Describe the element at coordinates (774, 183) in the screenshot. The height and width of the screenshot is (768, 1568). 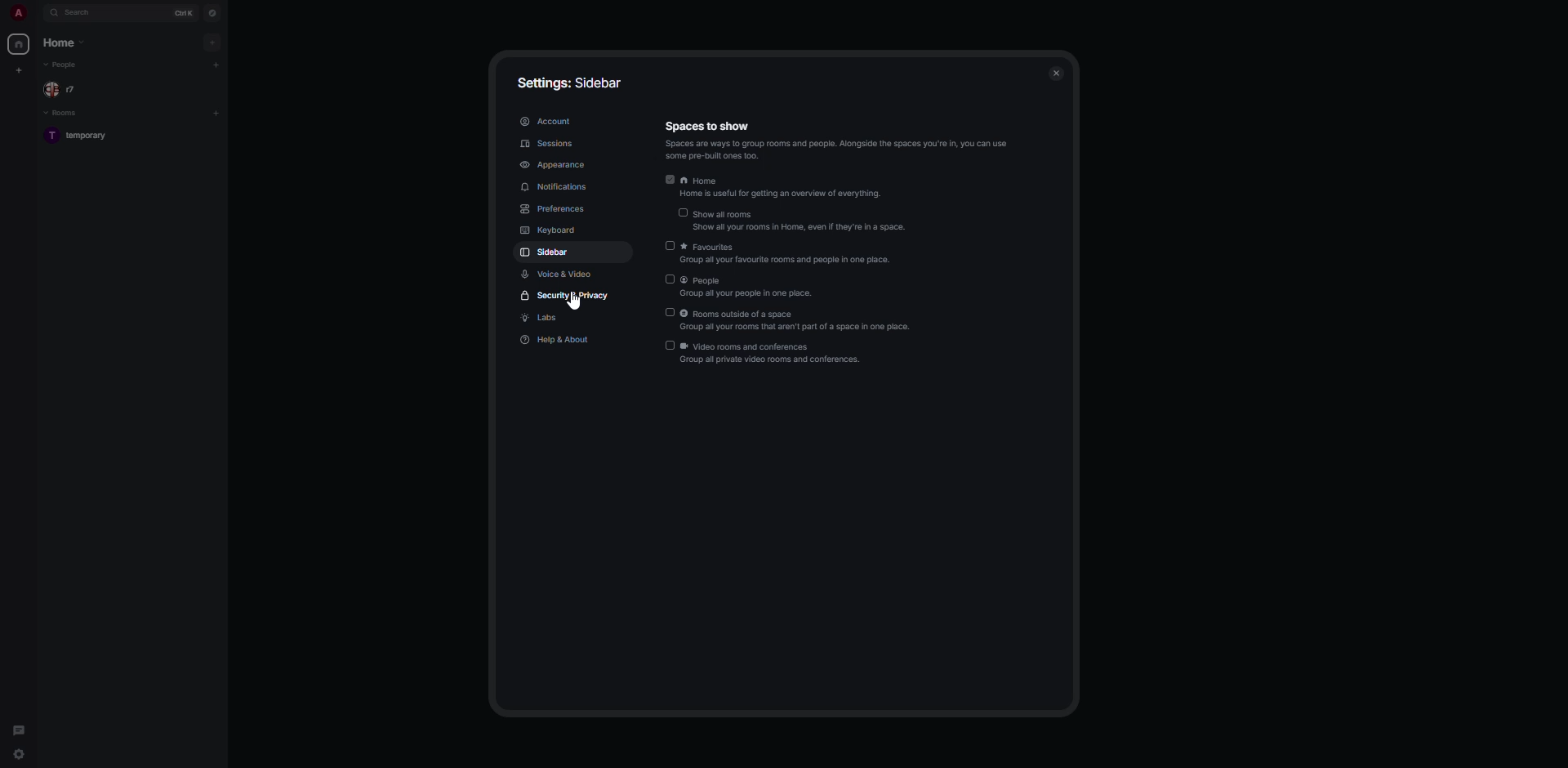
I see `home` at that location.